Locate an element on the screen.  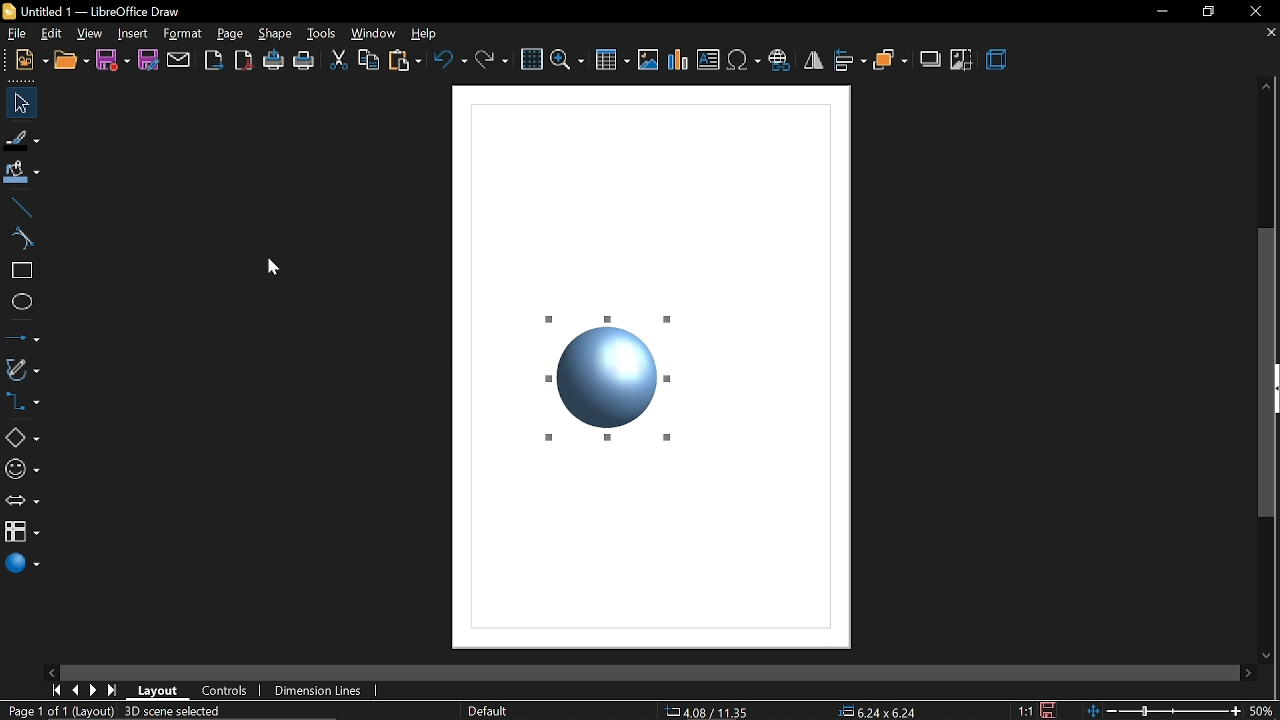
edit is located at coordinates (52, 33).